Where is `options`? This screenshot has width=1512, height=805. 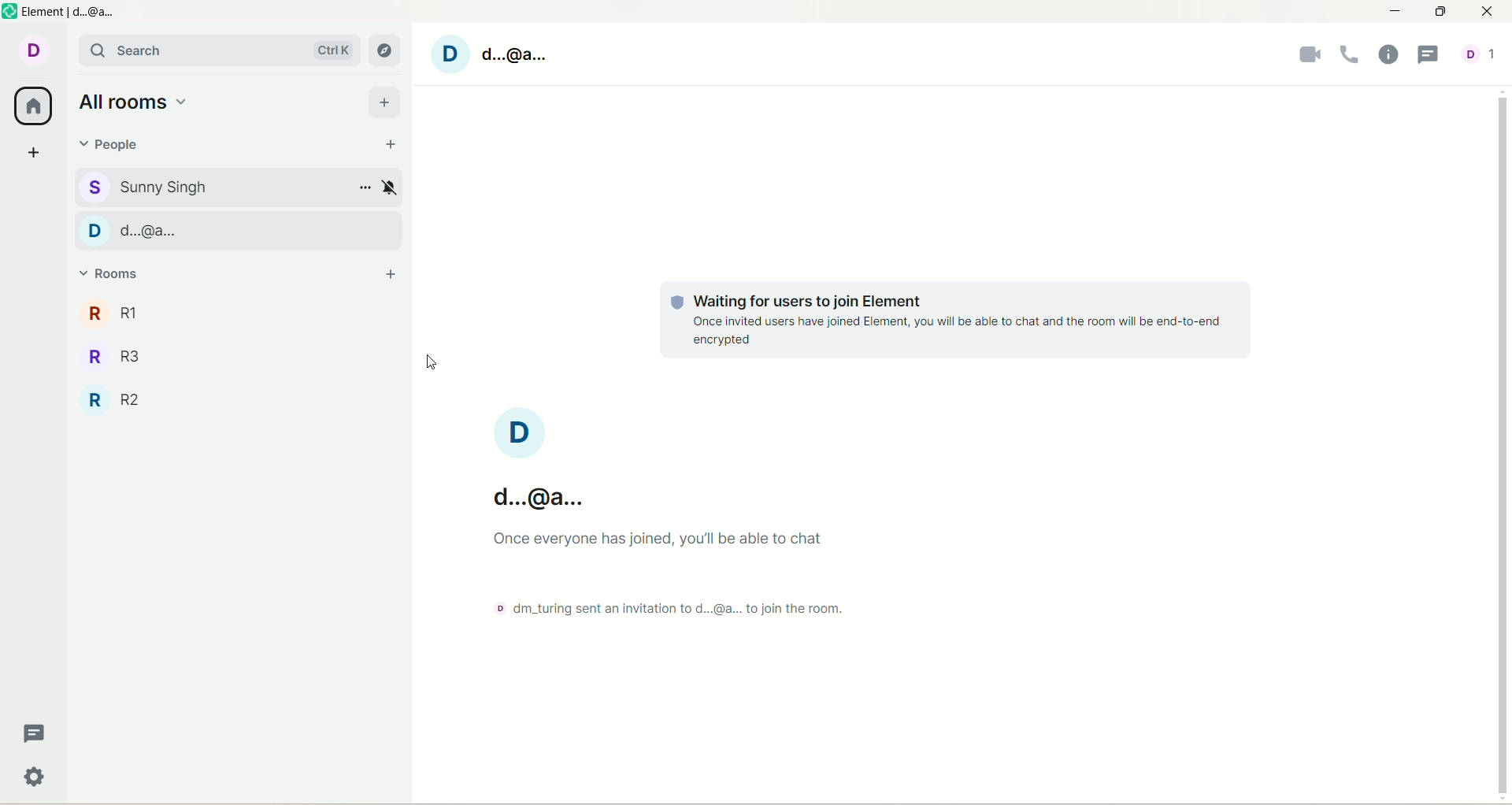 options is located at coordinates (365, 188).